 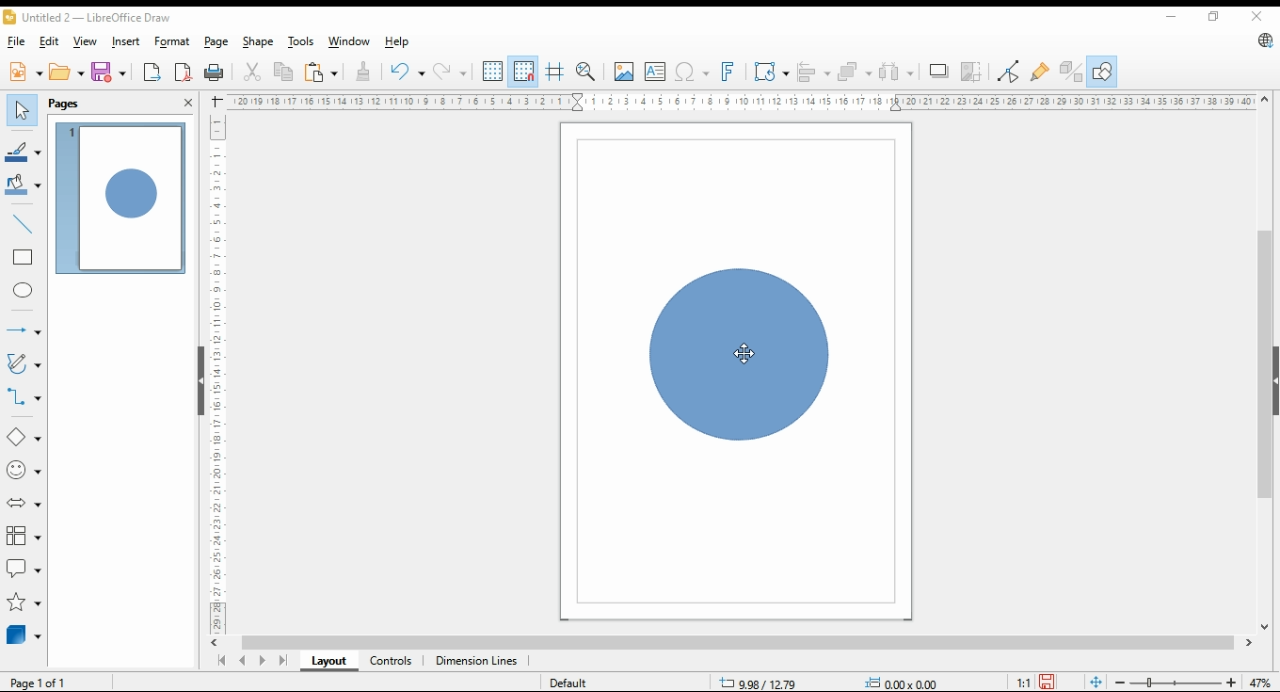 I want to click on open, so click(x=66, y=71).